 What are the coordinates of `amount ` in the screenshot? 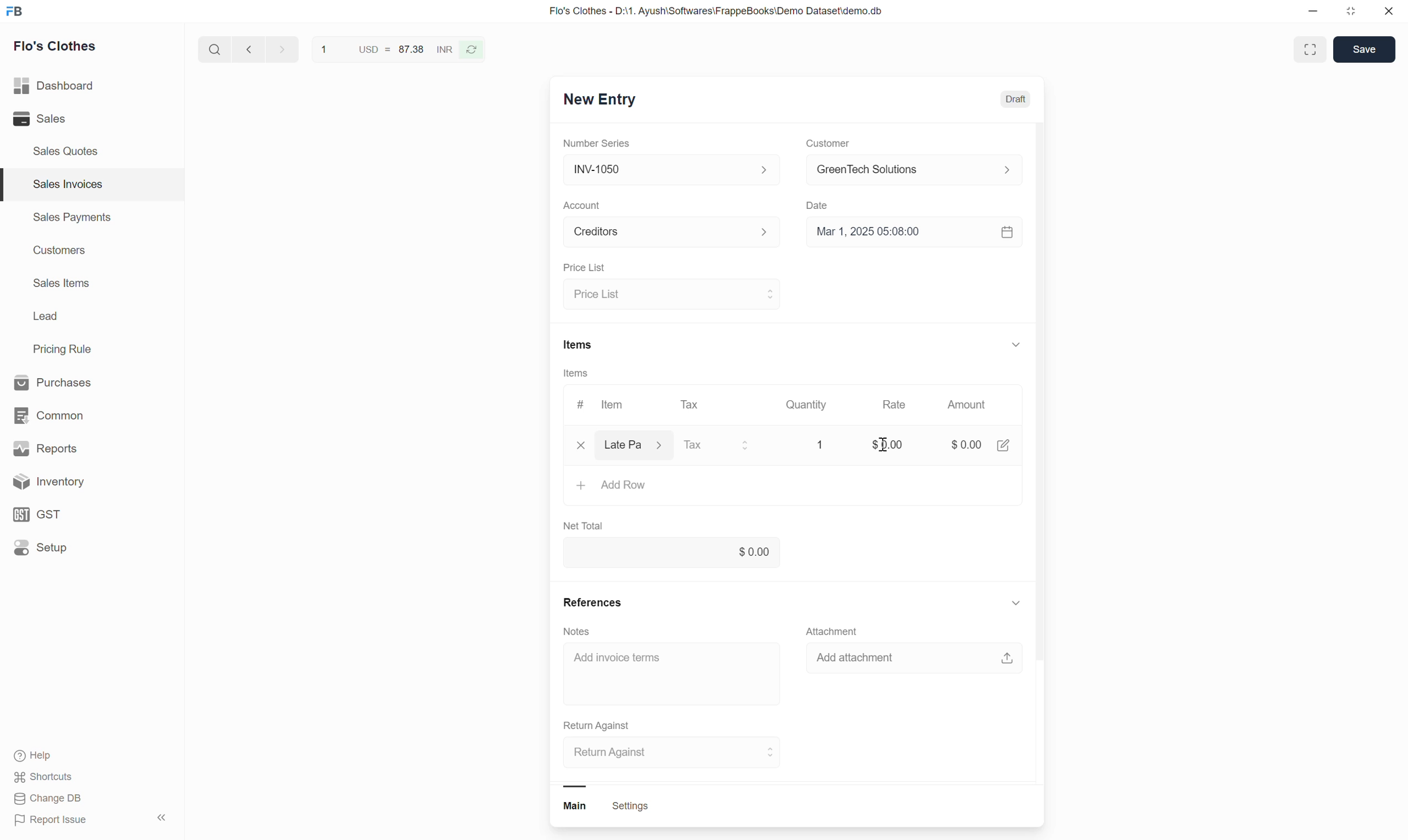 It's located at (958, 445).